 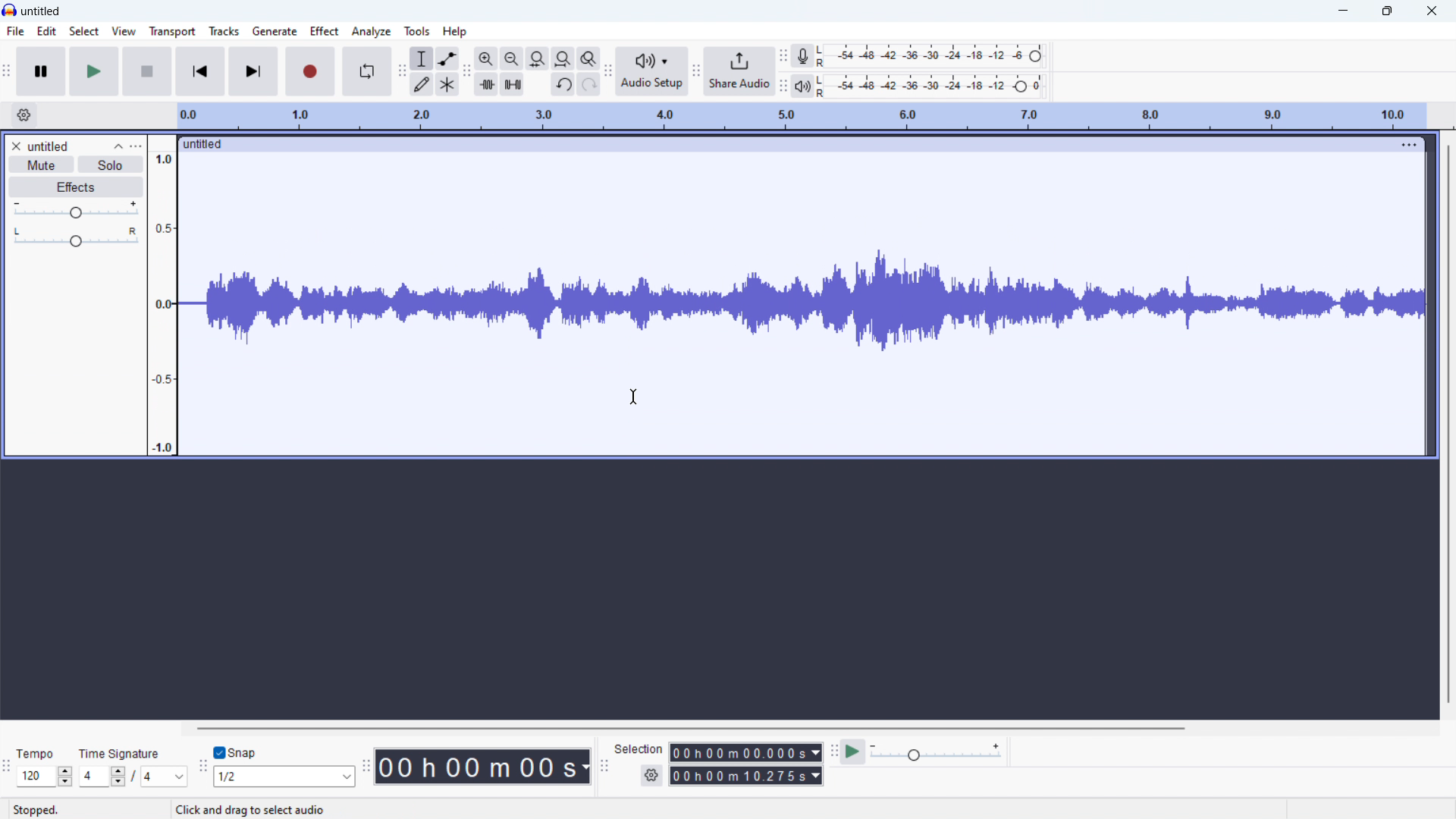 What do you see at coordinates (43, 71) in the screenshot?
I see `pause` at bounding box center [43, 71].